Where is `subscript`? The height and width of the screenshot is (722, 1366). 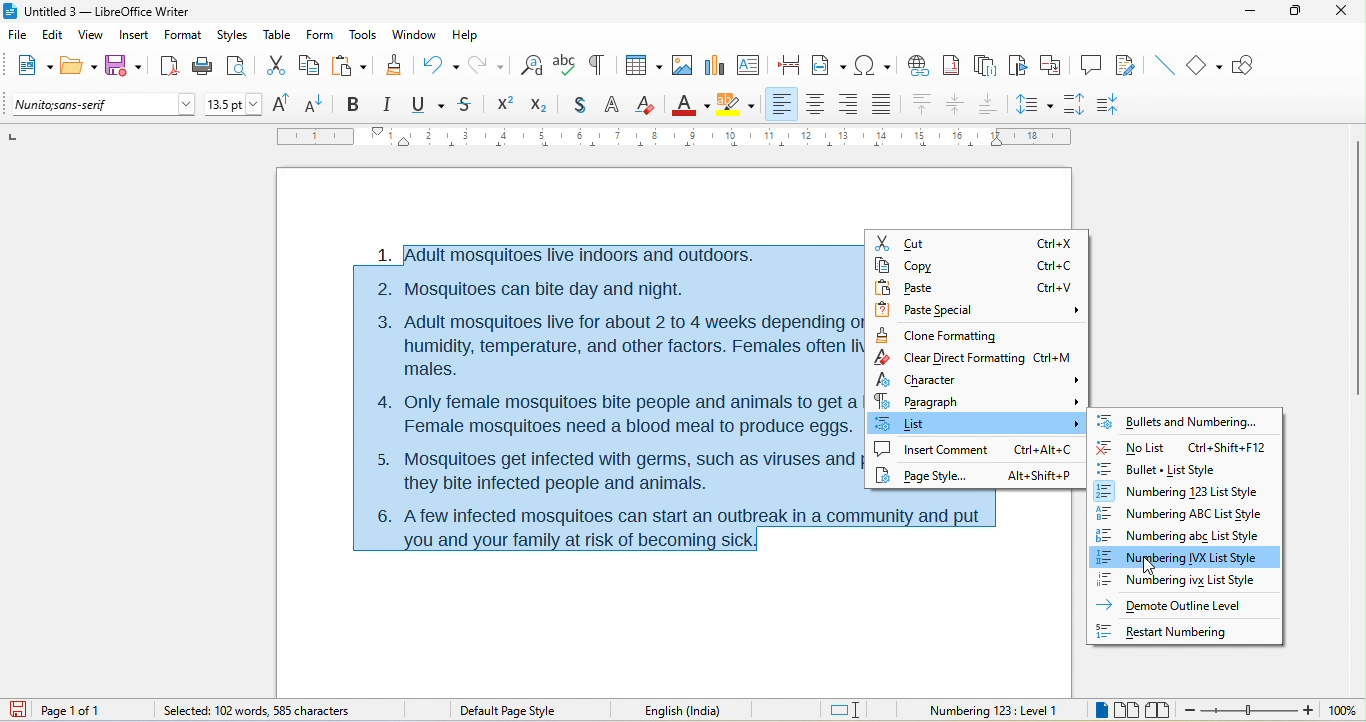 subscript is located at coordinates (537, 105).